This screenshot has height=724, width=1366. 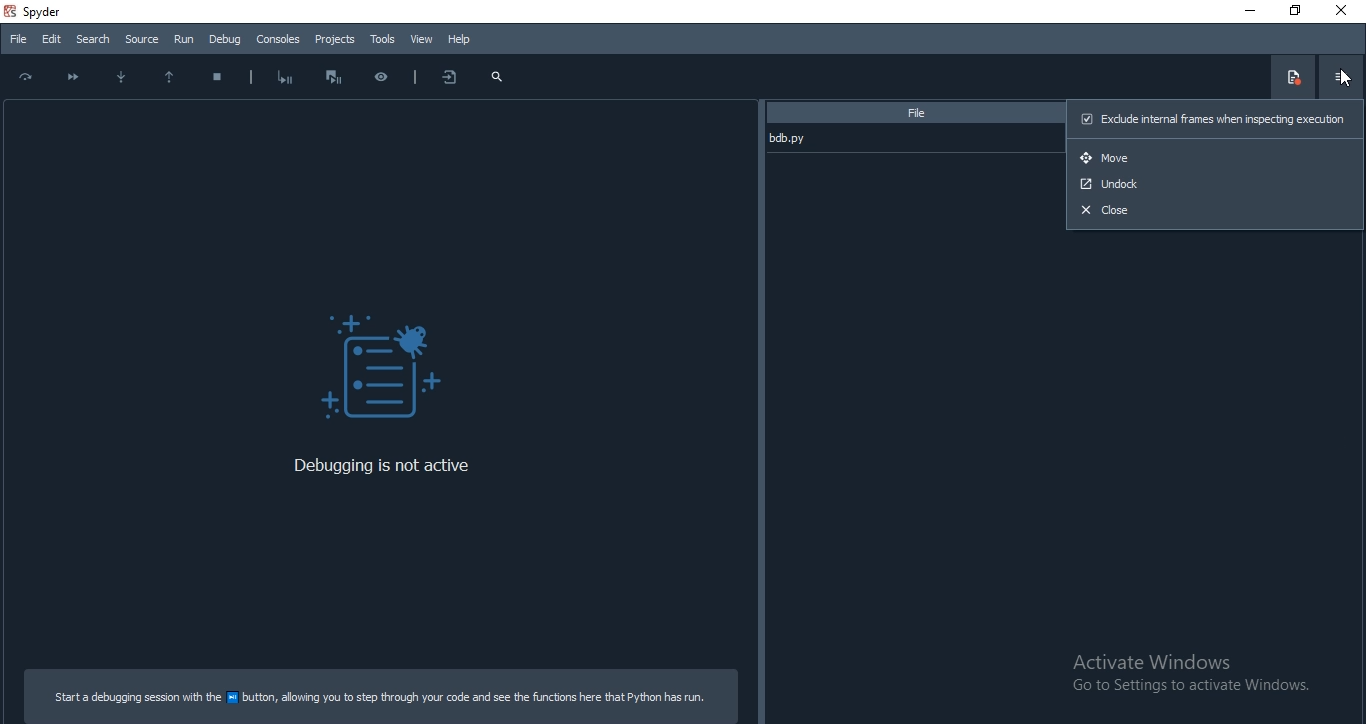 What do you see at coordinates (335, 40) in the screenshot?
I see `Projects` at bounding box center [335, 40].